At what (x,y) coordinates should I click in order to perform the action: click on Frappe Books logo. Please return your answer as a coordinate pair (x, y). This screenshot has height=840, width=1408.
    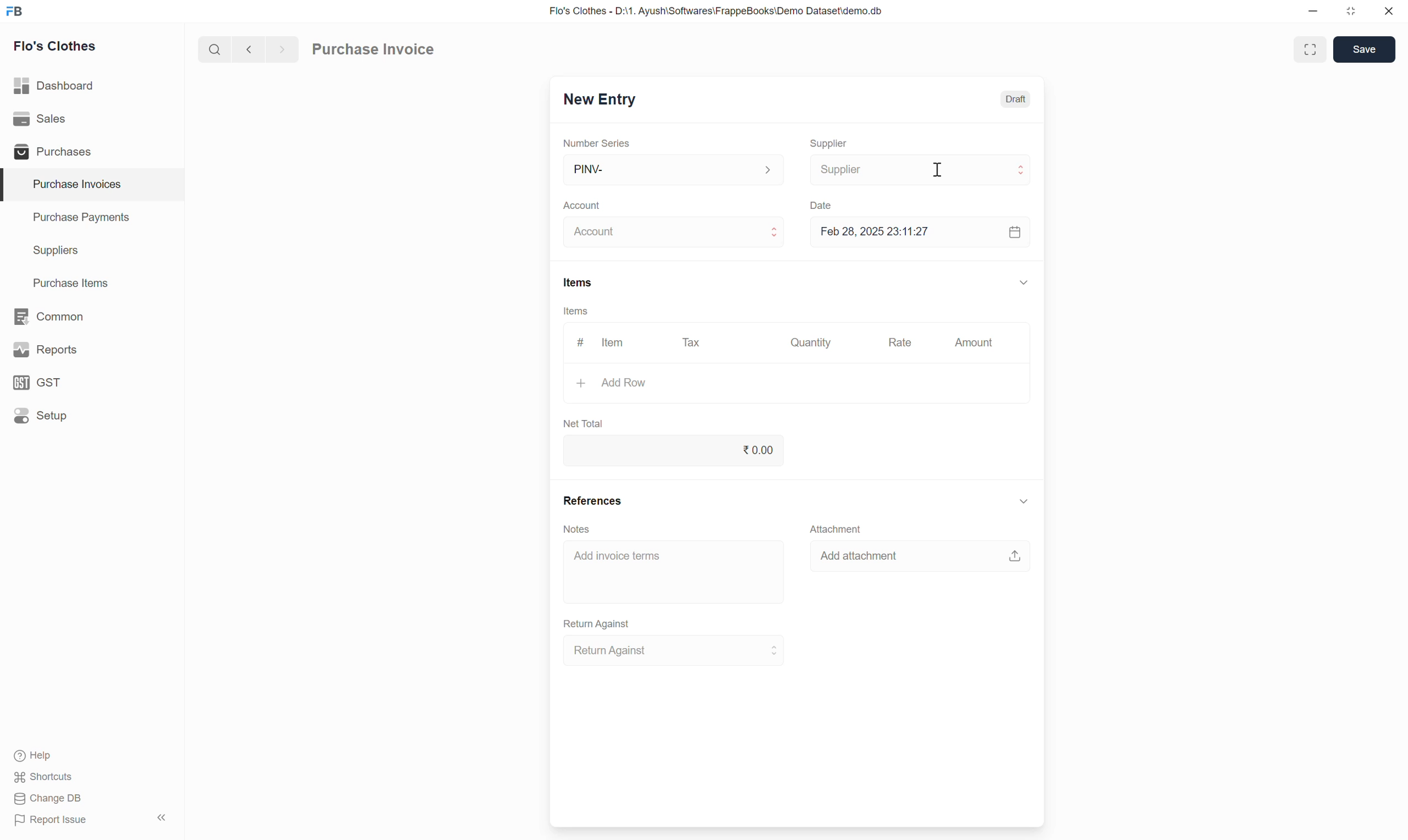
    Looking at the image, I should click on (14, 11).